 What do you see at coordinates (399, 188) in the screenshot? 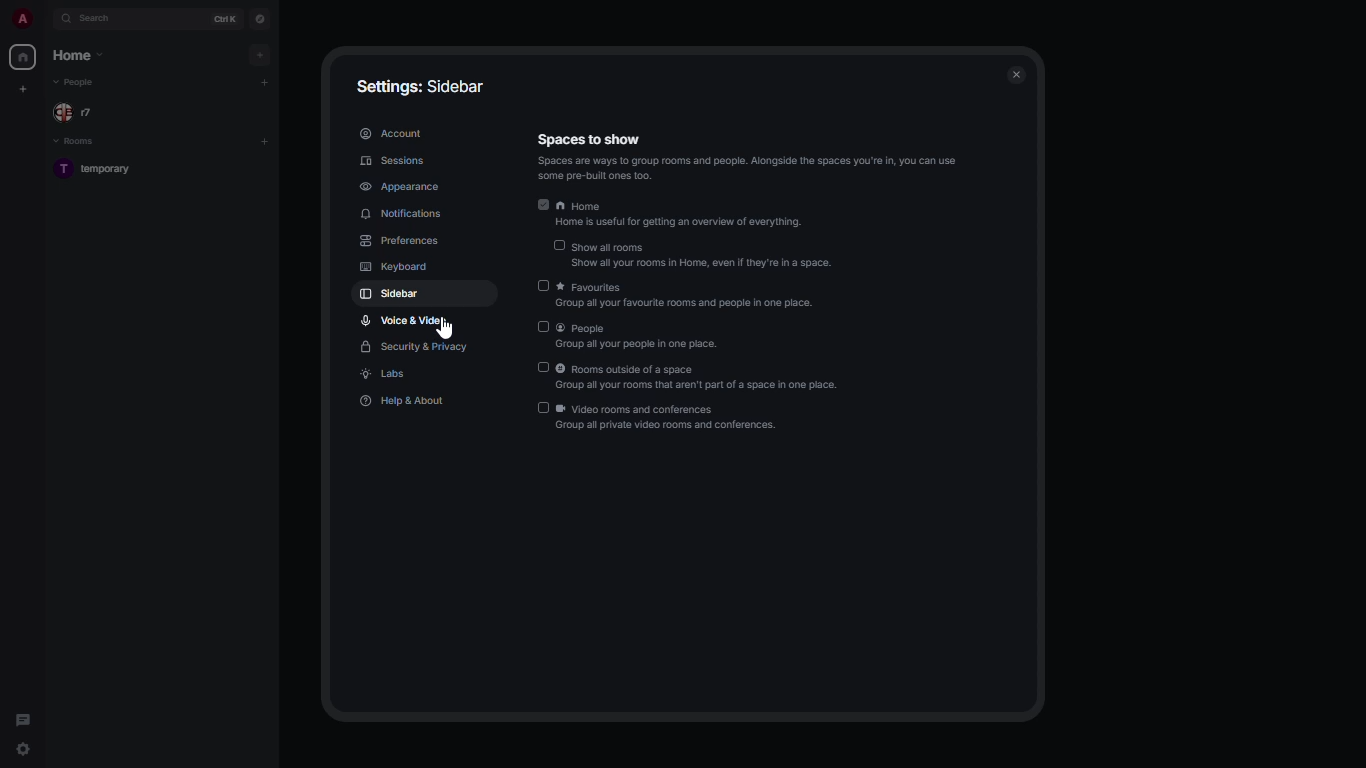
I see `appearance` at bounding box center [399, 188].